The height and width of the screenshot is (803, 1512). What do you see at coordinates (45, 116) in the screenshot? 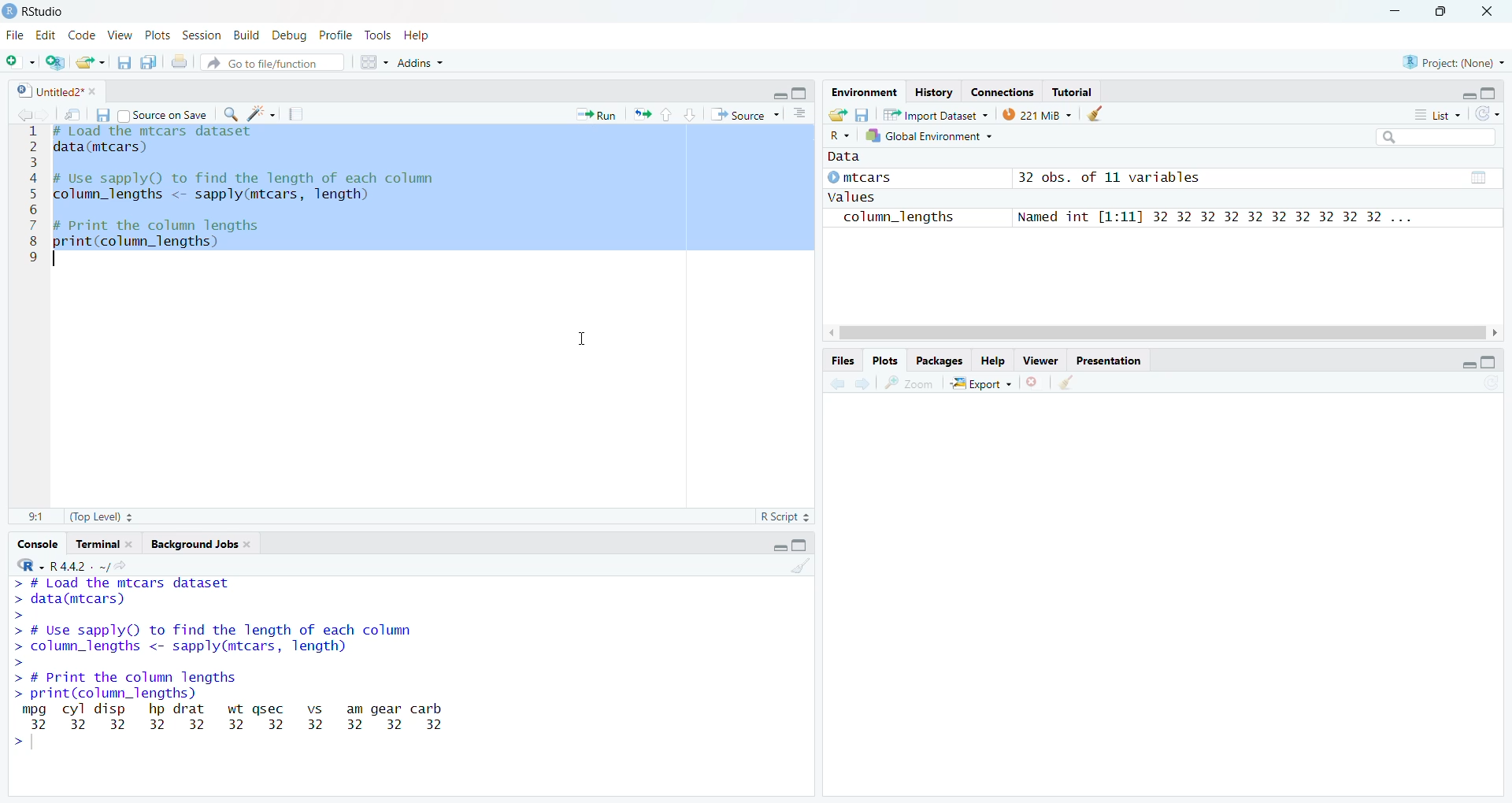
I see `Go to next source location` at bounding box center [45, 116].